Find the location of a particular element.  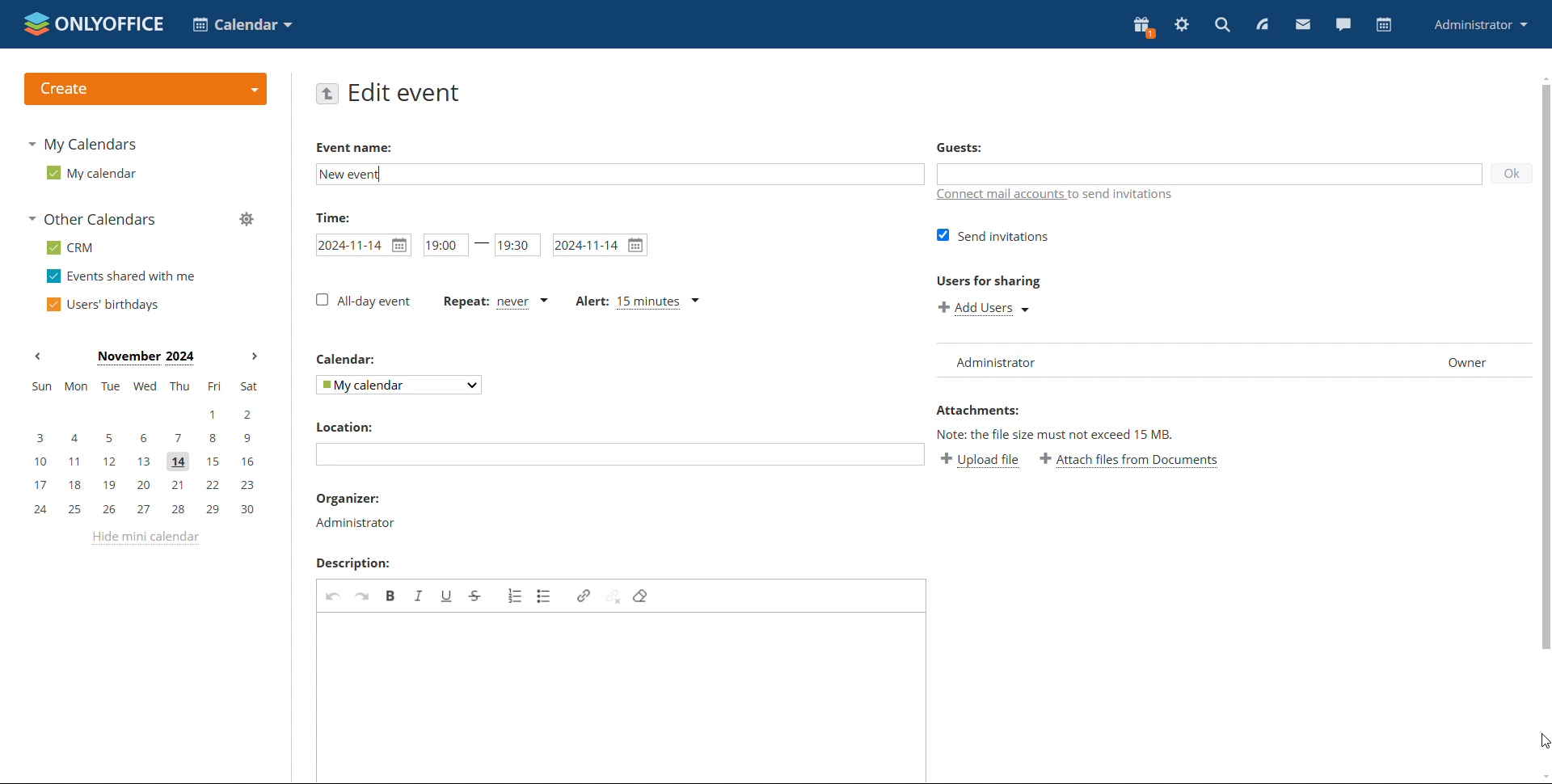

hide mini calendar is located at coordinates (143, 537).